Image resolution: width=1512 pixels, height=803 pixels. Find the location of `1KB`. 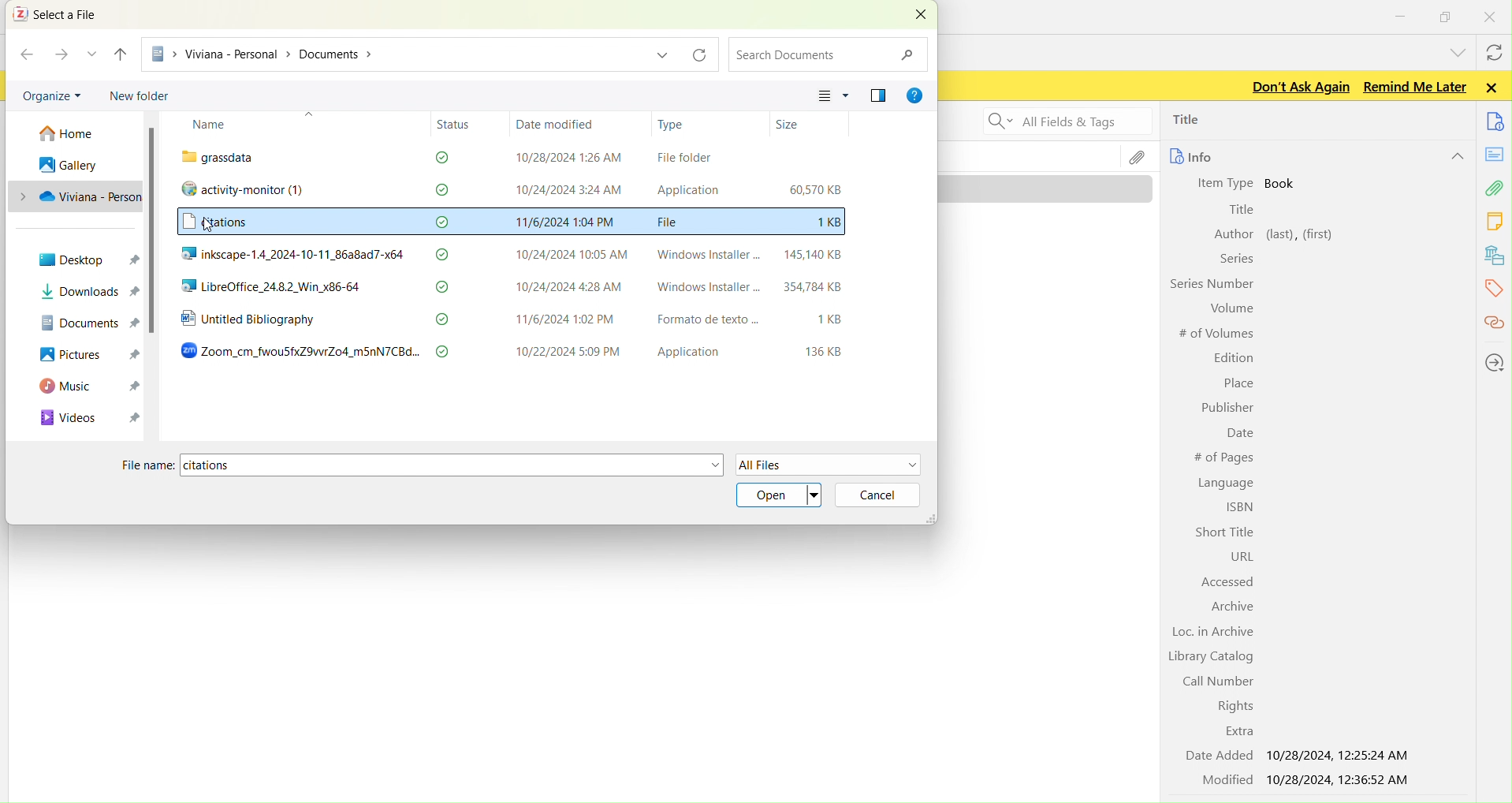

1KB is located at coordinates (830, 319).